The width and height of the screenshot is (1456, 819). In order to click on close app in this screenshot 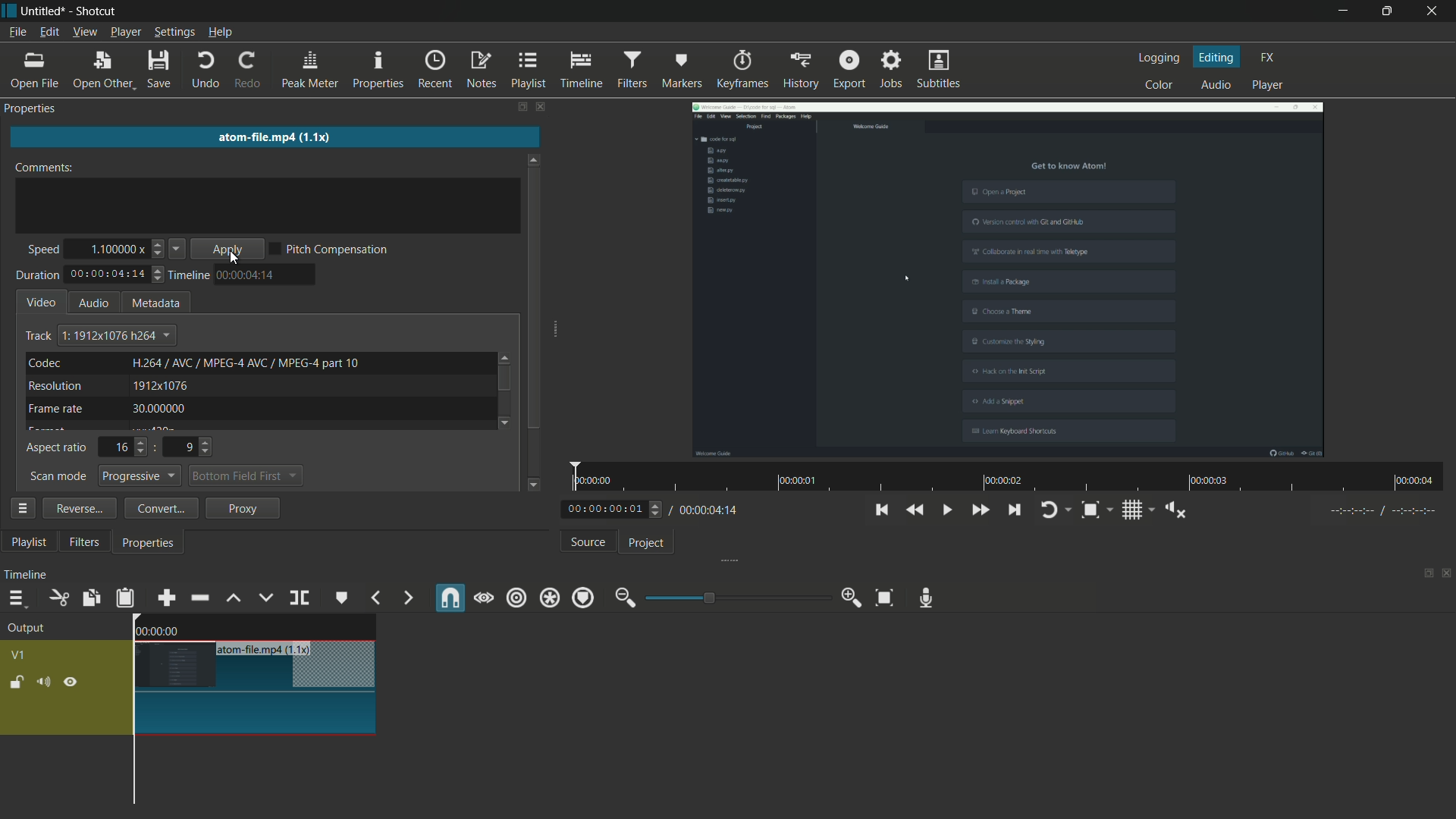, I will do `click(1433, 11)`.